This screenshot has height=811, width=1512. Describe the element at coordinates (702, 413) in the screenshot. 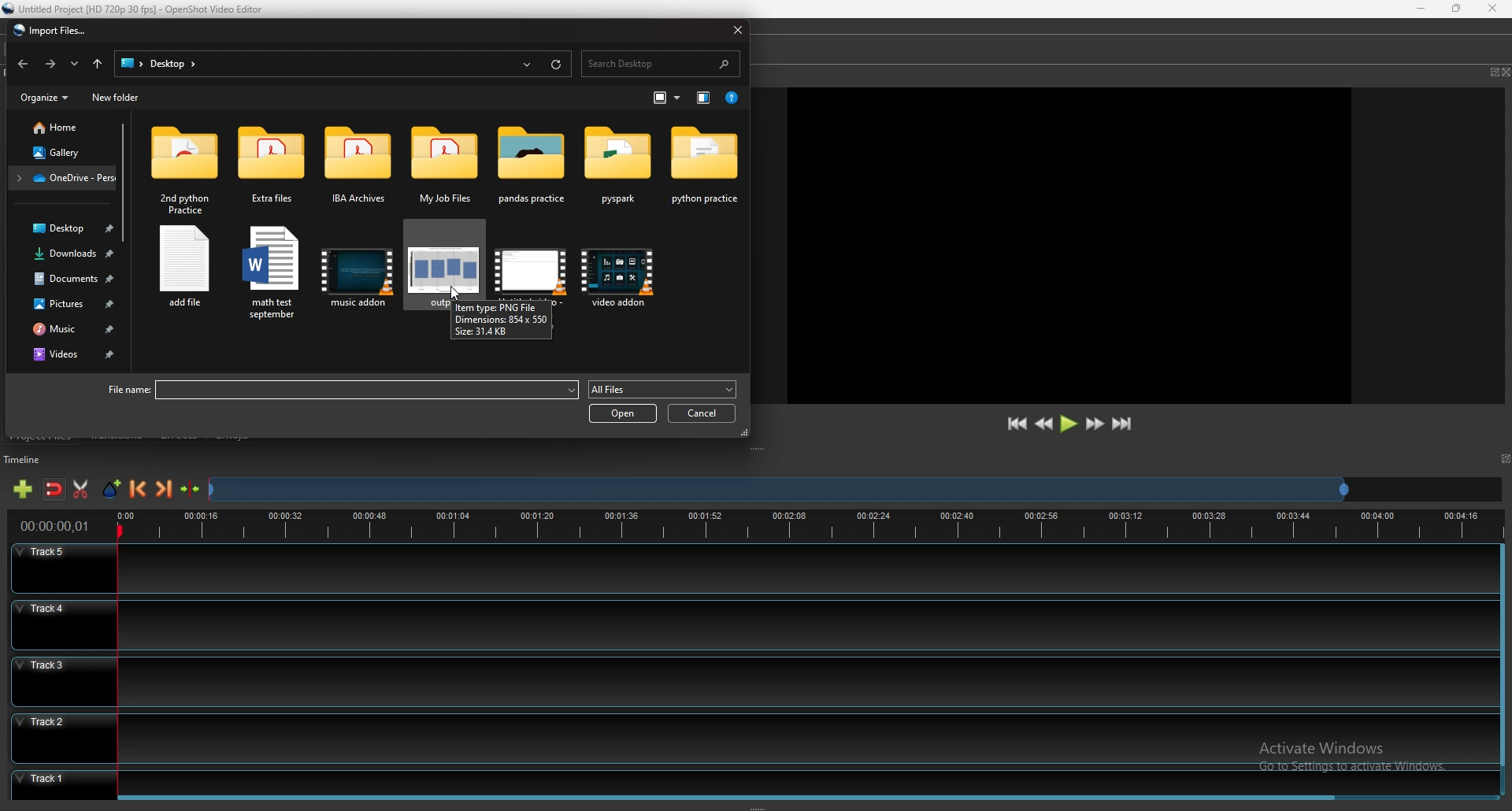

I see `cancel` at that location.